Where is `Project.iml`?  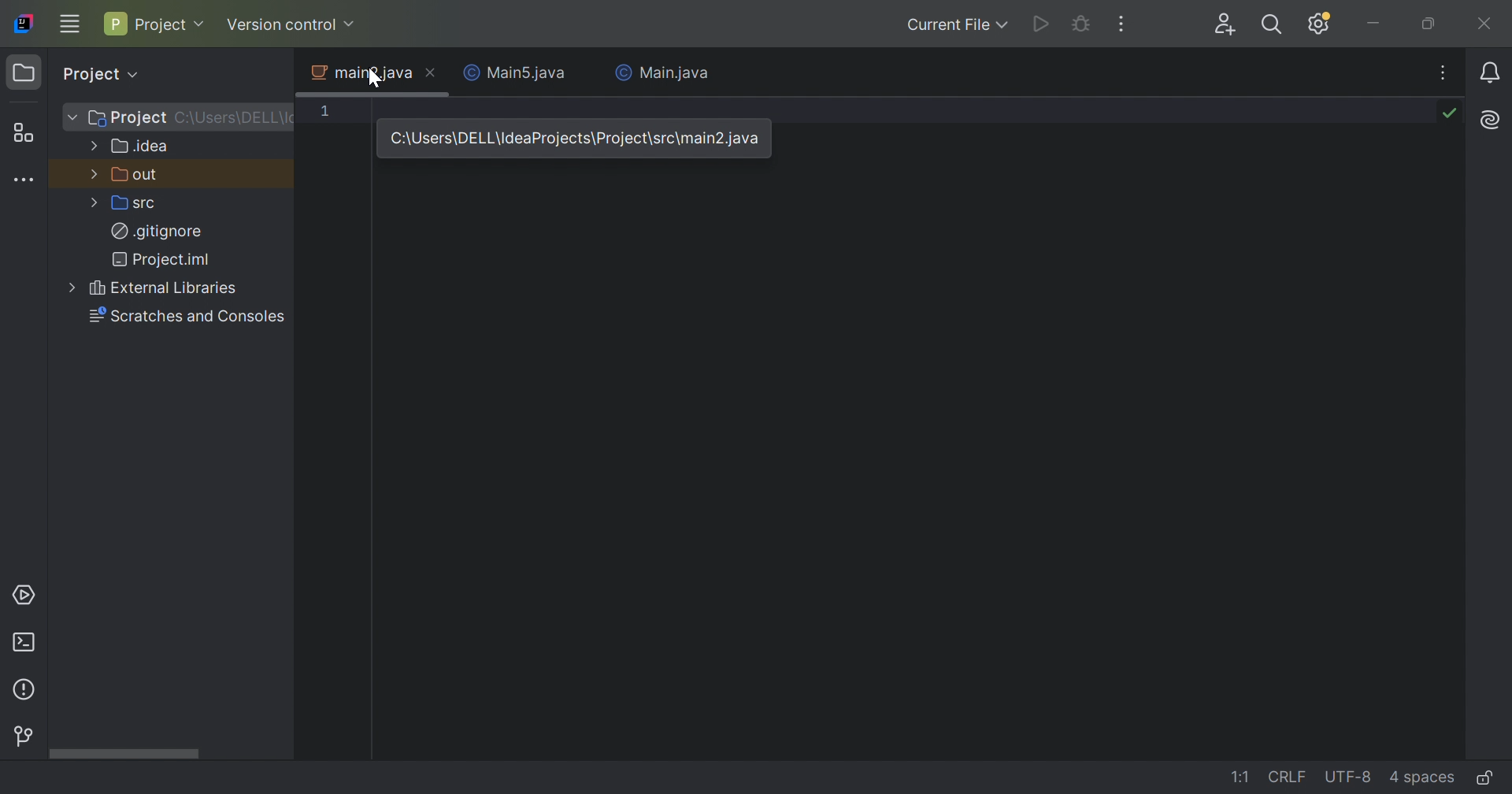 Project.iml is located at coordinates (166, 259).